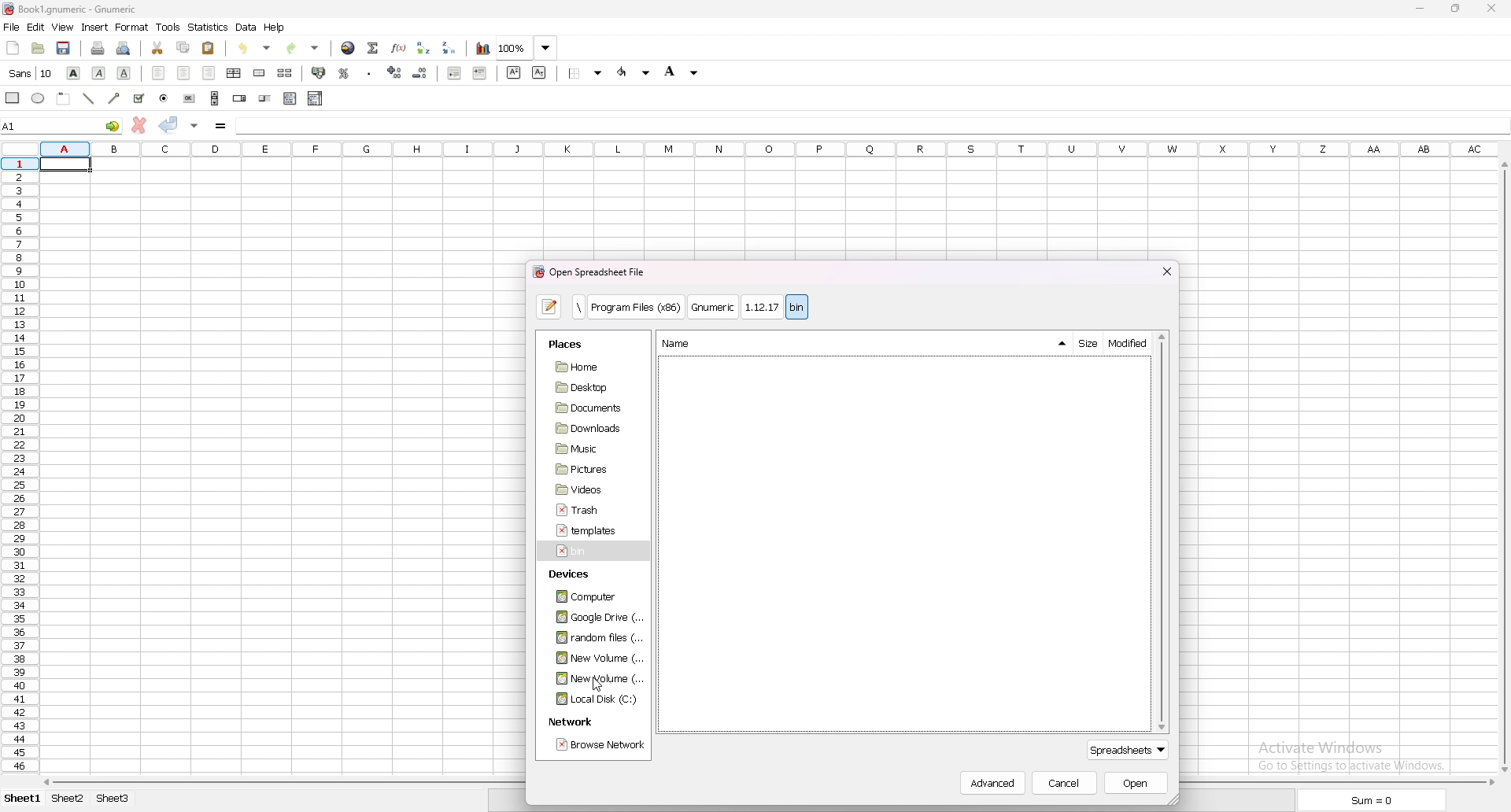  Describe the element at coordinates (1489, 8) in the screenshot. I see `close` at that location.